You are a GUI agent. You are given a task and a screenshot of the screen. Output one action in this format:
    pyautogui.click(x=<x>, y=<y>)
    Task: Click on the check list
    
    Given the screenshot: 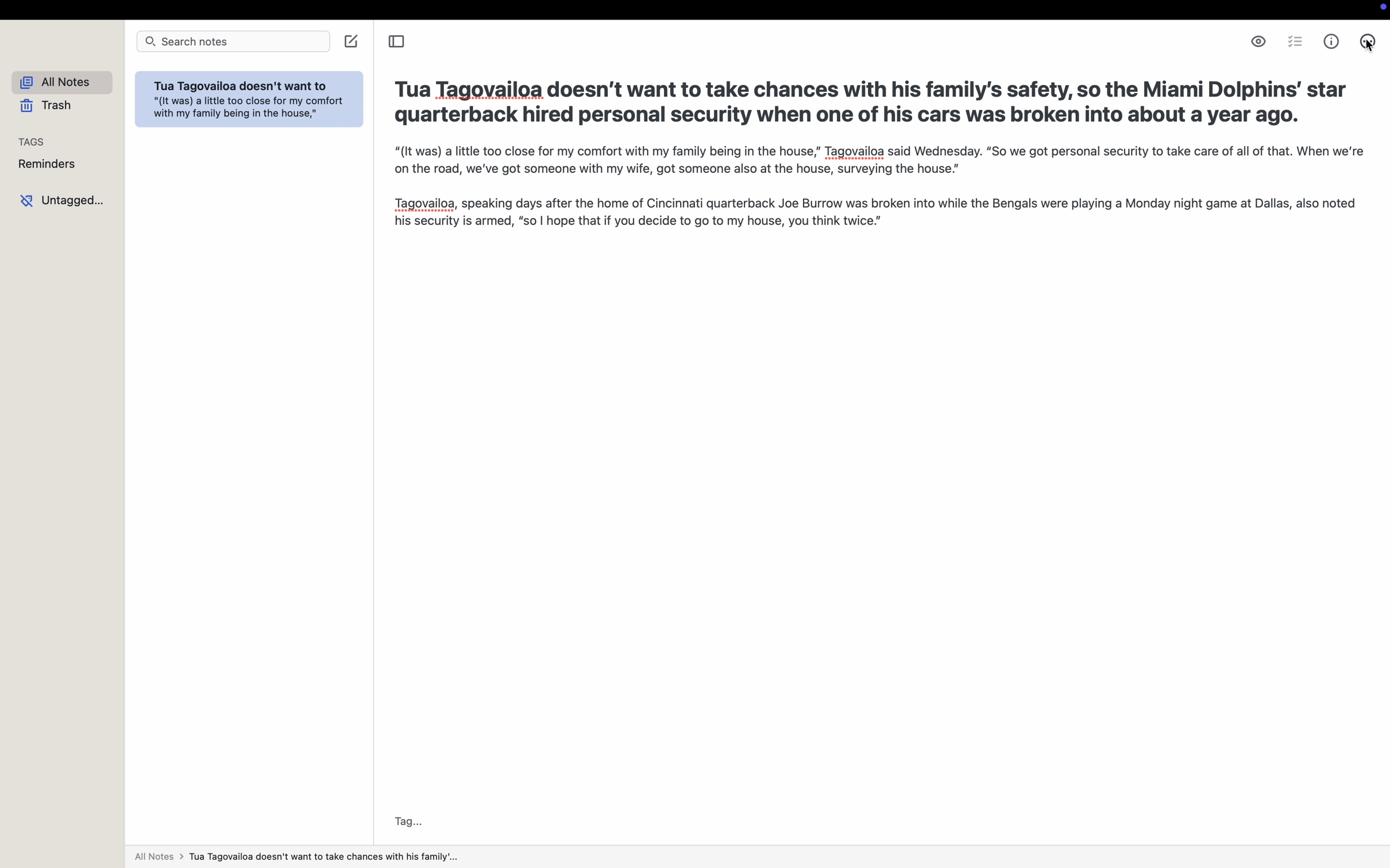 What is the action you would take?
    pyautogui.click(x=1295, y=41)
    